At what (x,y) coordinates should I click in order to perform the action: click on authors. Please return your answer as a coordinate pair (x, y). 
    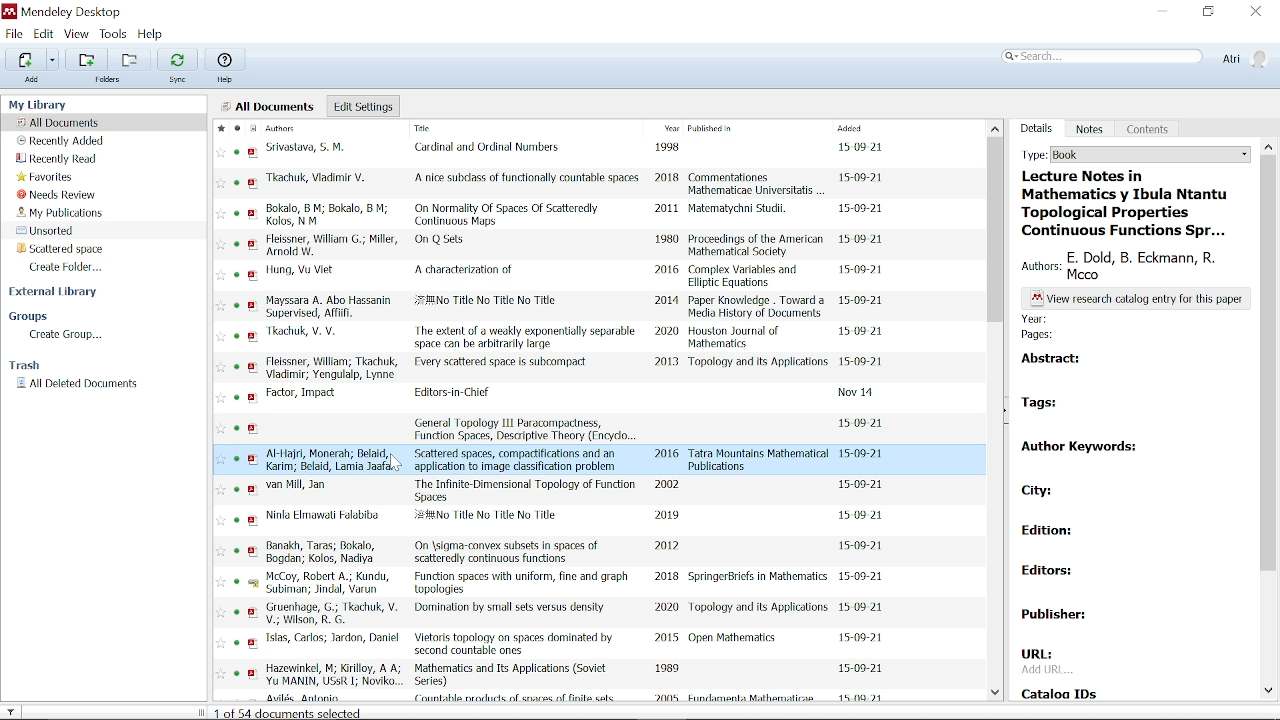
    Looking at the image, I should click on (330, 368).